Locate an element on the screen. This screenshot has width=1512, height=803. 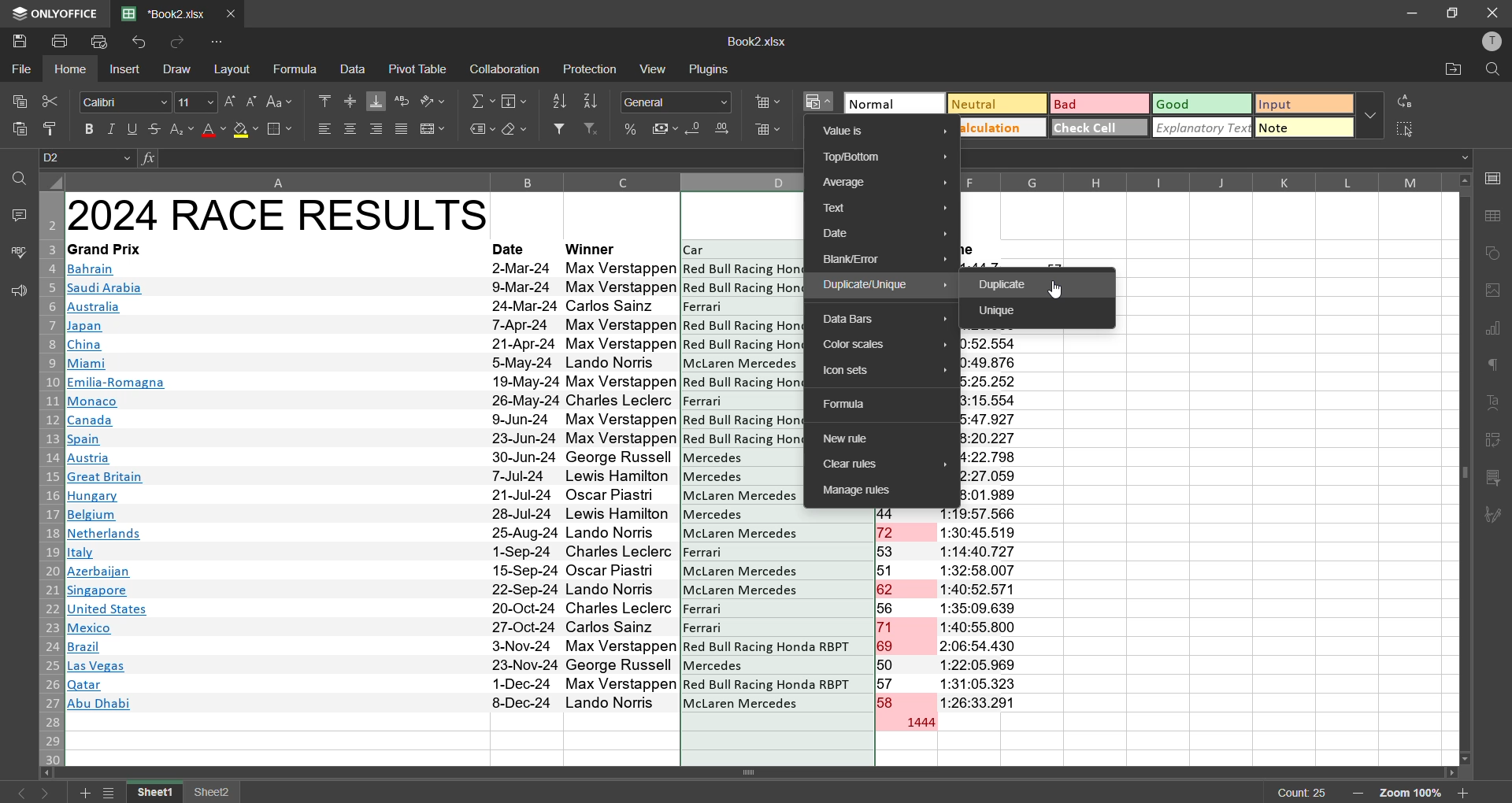
icon sets is located at coordinates (888, 372).